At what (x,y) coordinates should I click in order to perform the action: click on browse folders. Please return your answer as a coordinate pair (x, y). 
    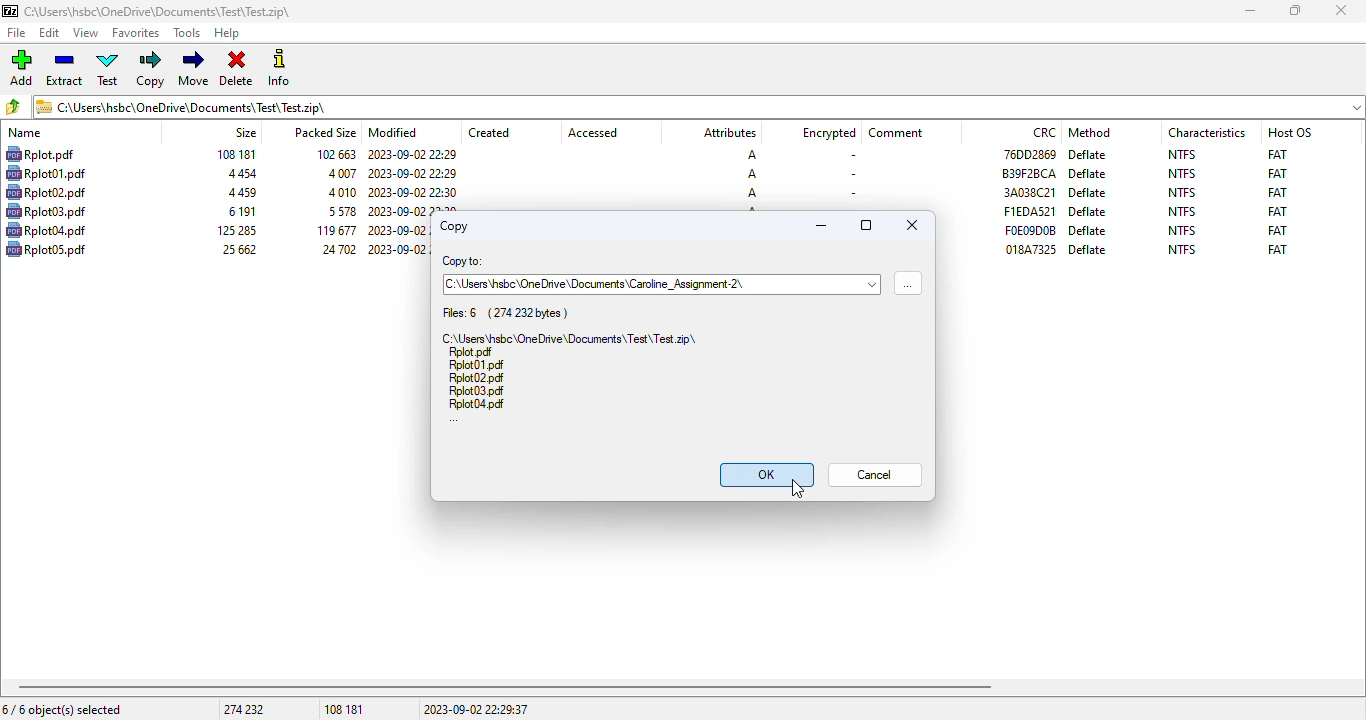
    Looking at the image, I should click on (14, 107).